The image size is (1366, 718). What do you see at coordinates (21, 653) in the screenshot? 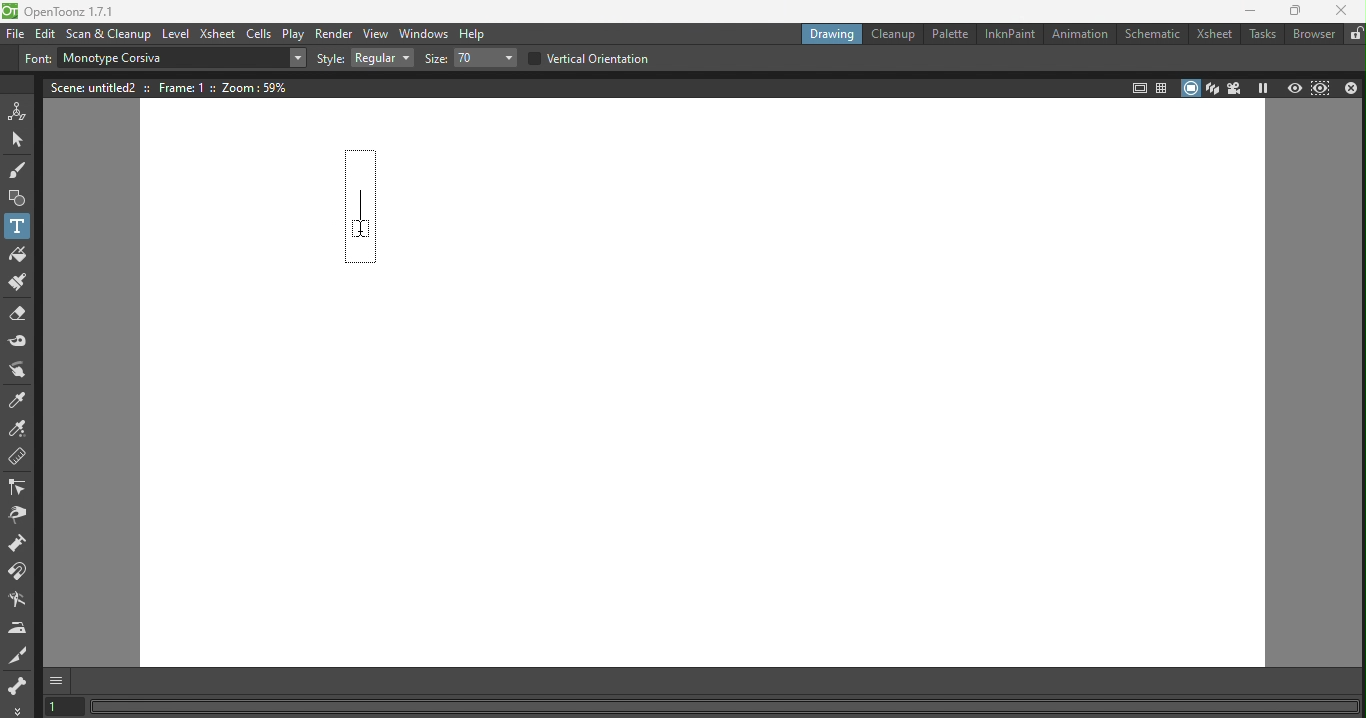
I see `Cutter tool` at bounding box center [21, 653].